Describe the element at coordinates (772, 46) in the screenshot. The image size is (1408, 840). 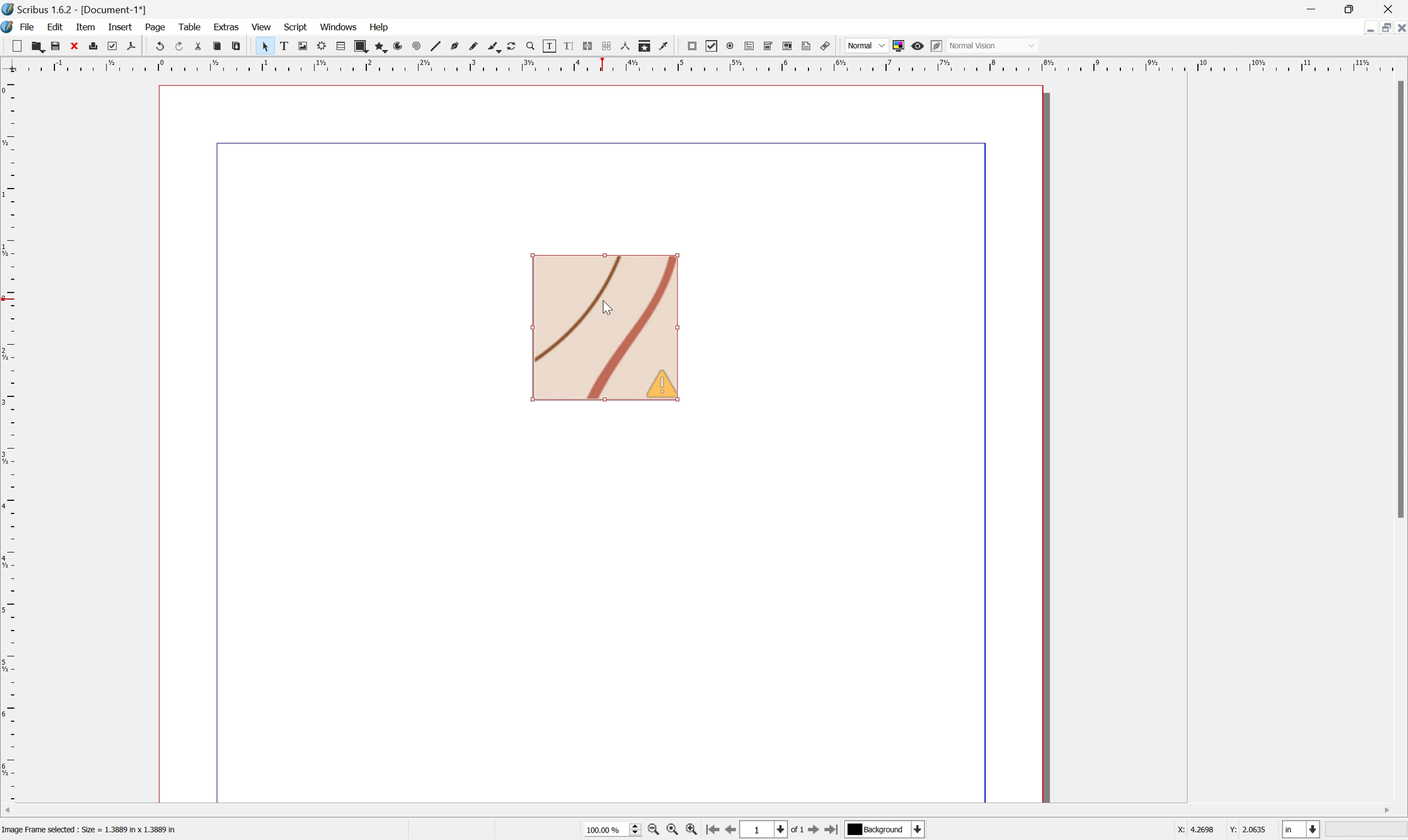
I see `PDF combo box` at that location.